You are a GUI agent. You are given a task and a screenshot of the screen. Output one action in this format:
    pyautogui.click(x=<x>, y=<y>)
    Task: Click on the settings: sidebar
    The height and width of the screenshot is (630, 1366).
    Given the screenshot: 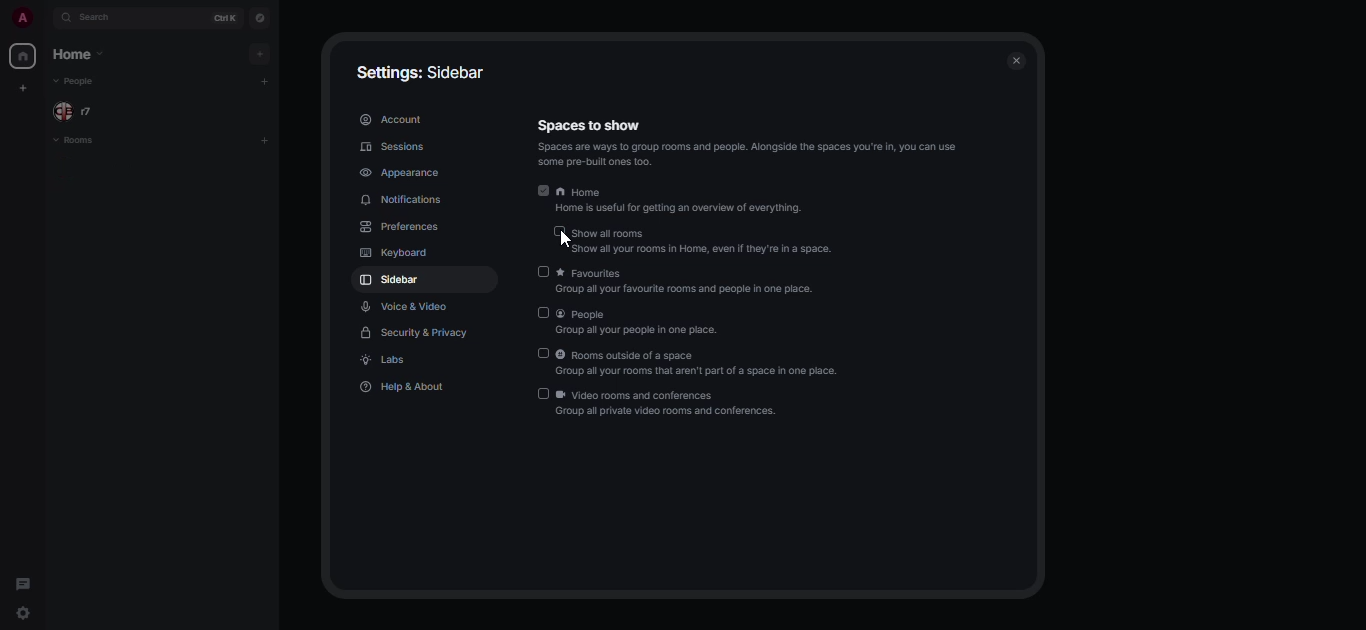 What is the action you would take?
    pyautogui.click(x=424, y=73)
    